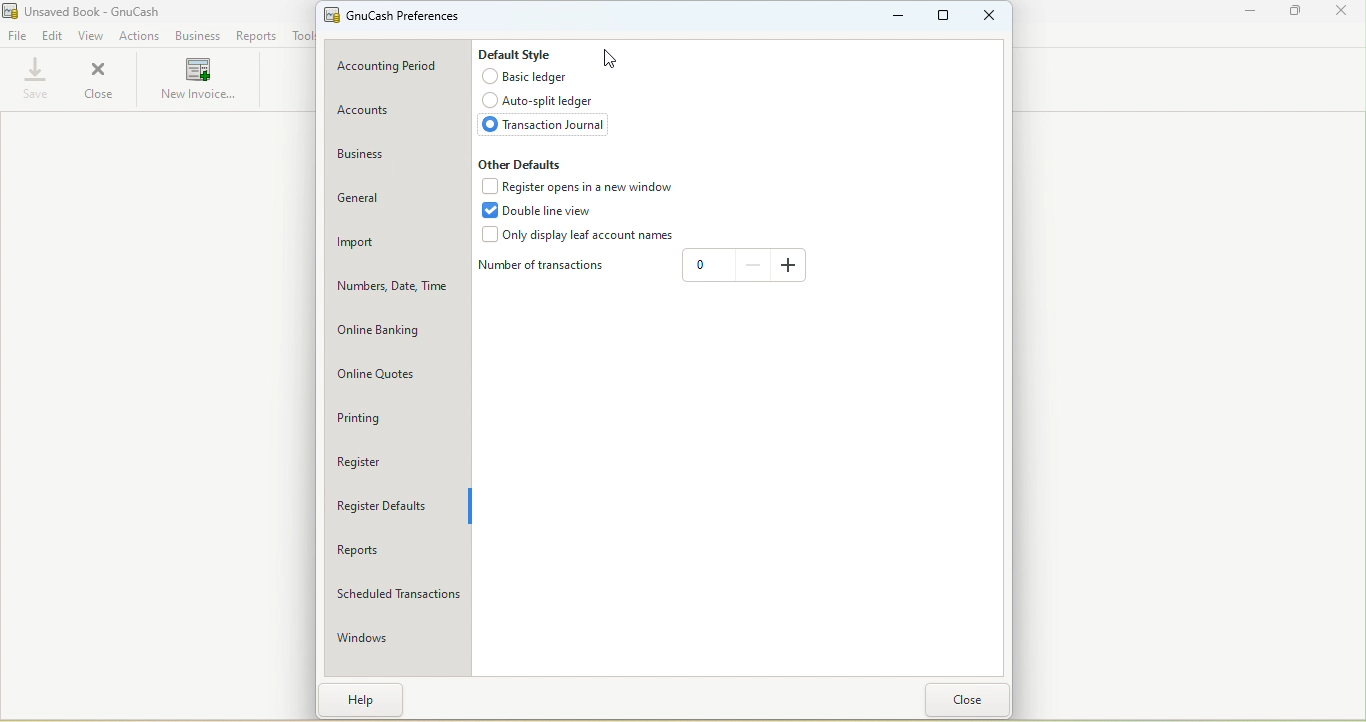 This screenshot has height=722, width=1366. I want to click on Actions, so click(141, 37).